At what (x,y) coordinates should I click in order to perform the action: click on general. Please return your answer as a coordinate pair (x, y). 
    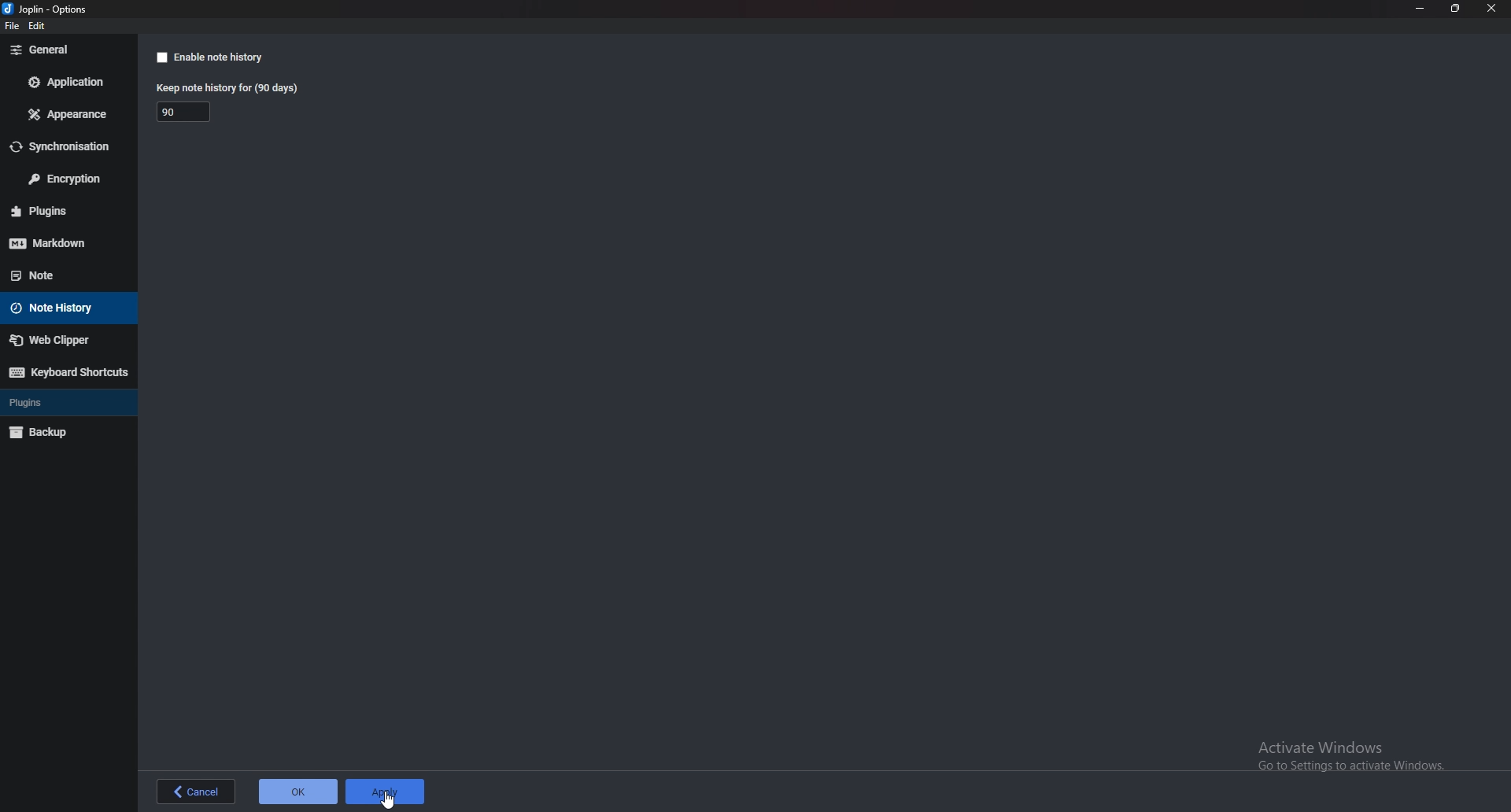
    Looking at the image, I should click on (65, 50).